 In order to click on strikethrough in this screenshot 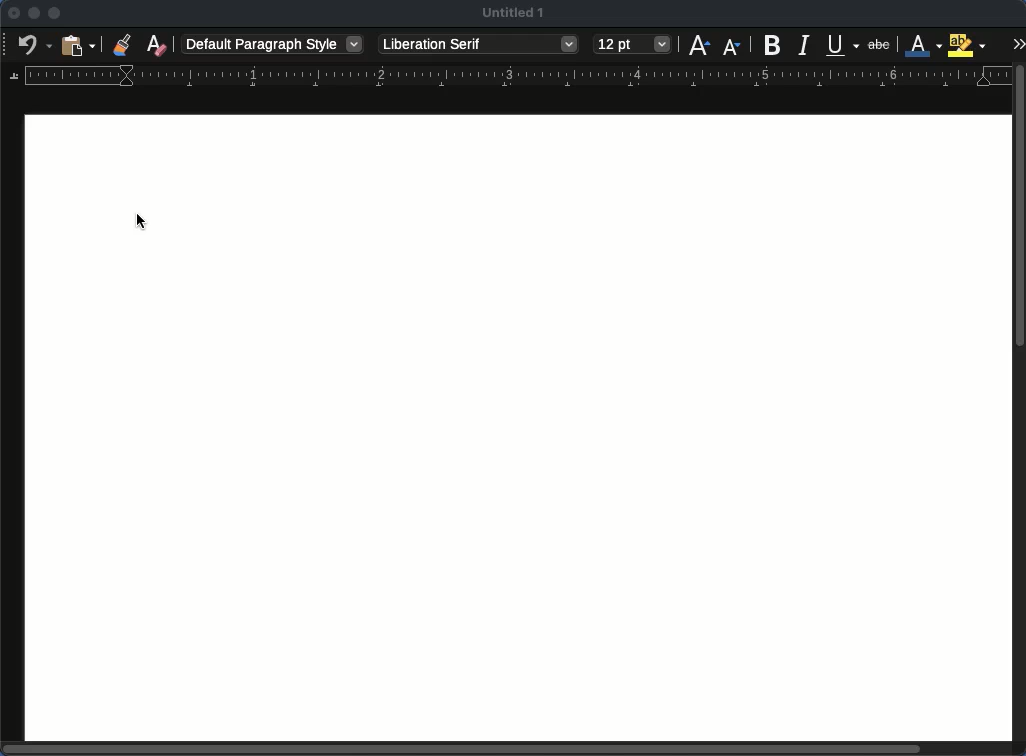, I will do `click(878, 44)`.